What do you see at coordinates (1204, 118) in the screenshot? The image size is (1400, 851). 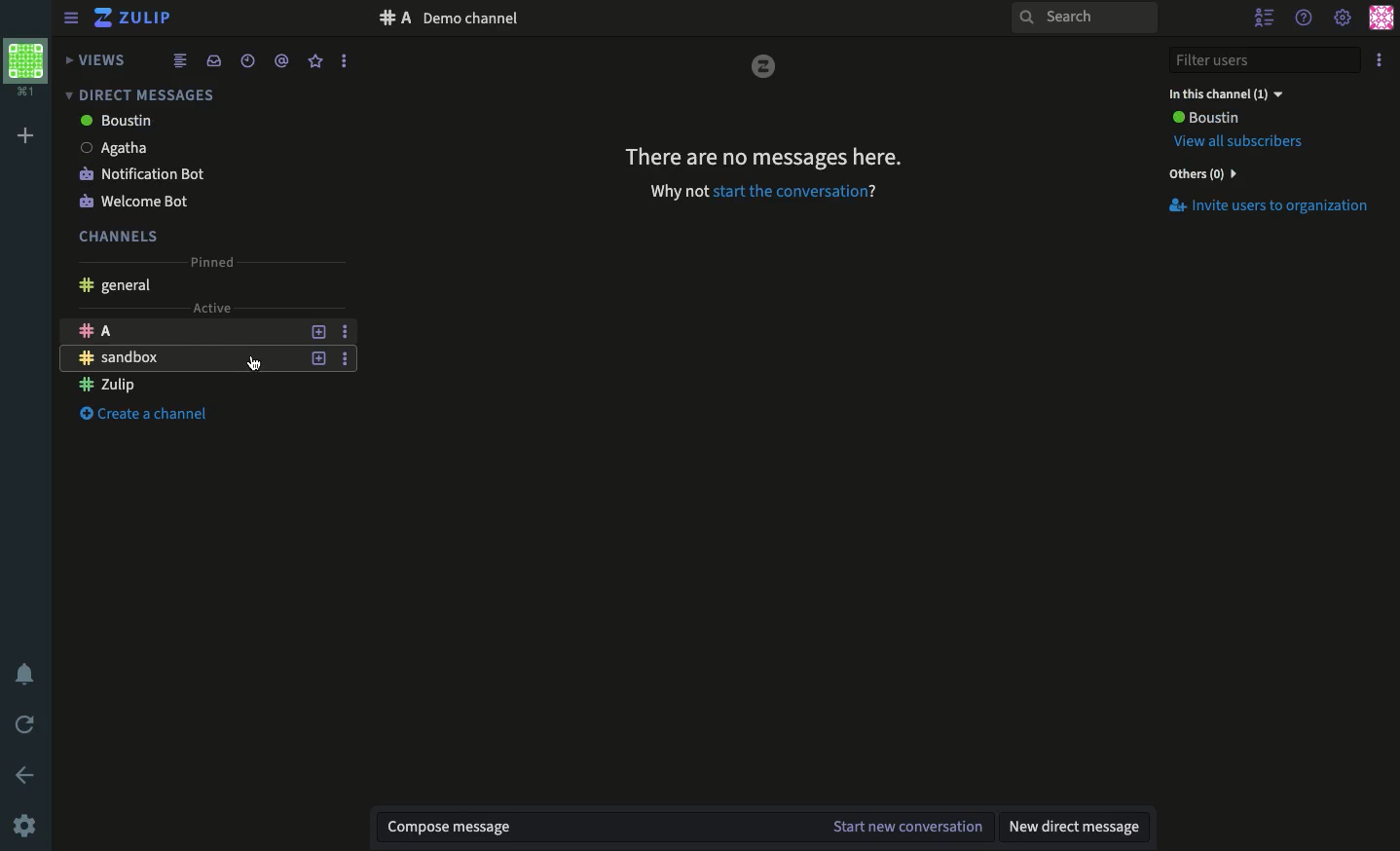 I see `User` at bounding box center [1204, 118].